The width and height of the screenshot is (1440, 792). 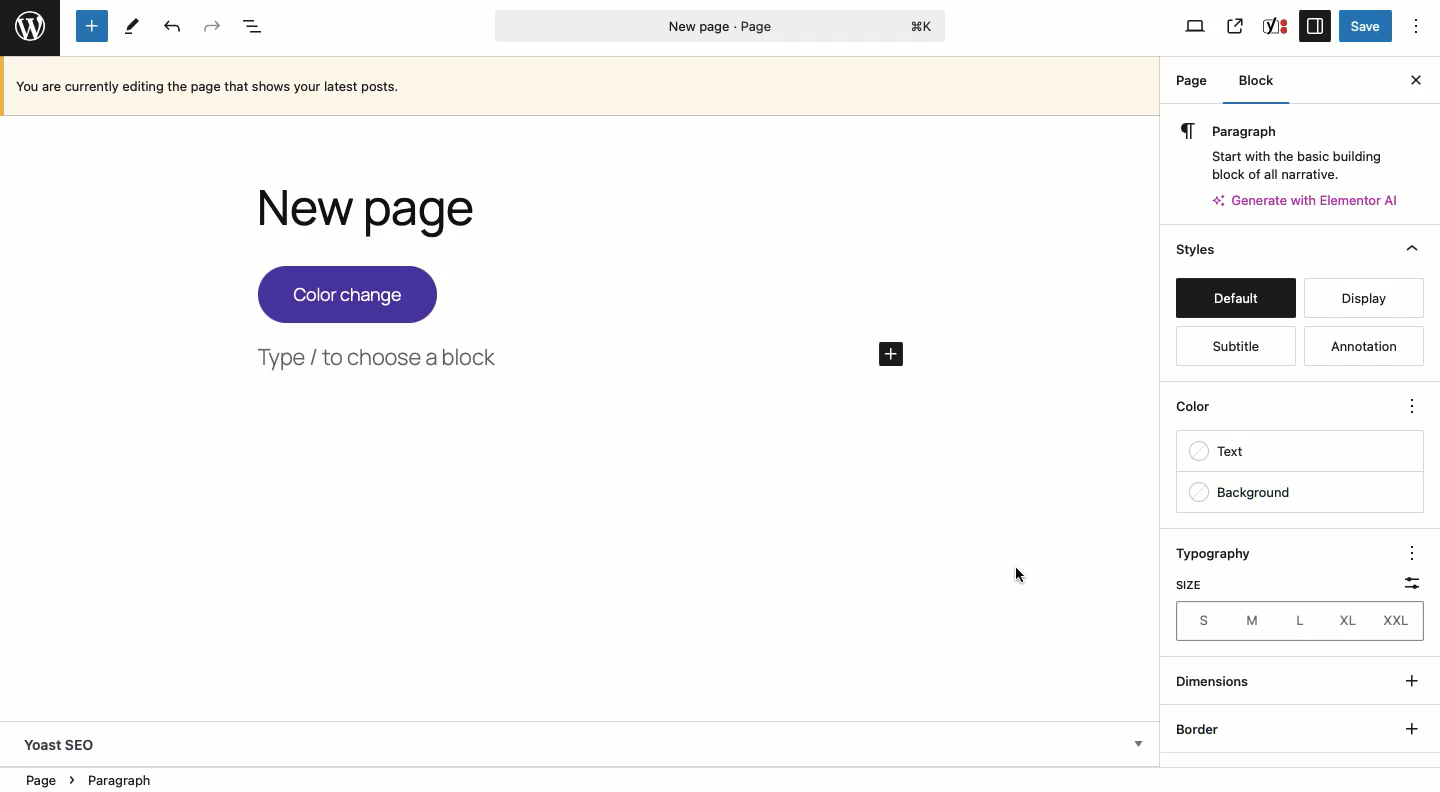 What do you see at coordinates (1408, 586) in the screenshot?
I see `Filter` at bounding box center [1408, 586].